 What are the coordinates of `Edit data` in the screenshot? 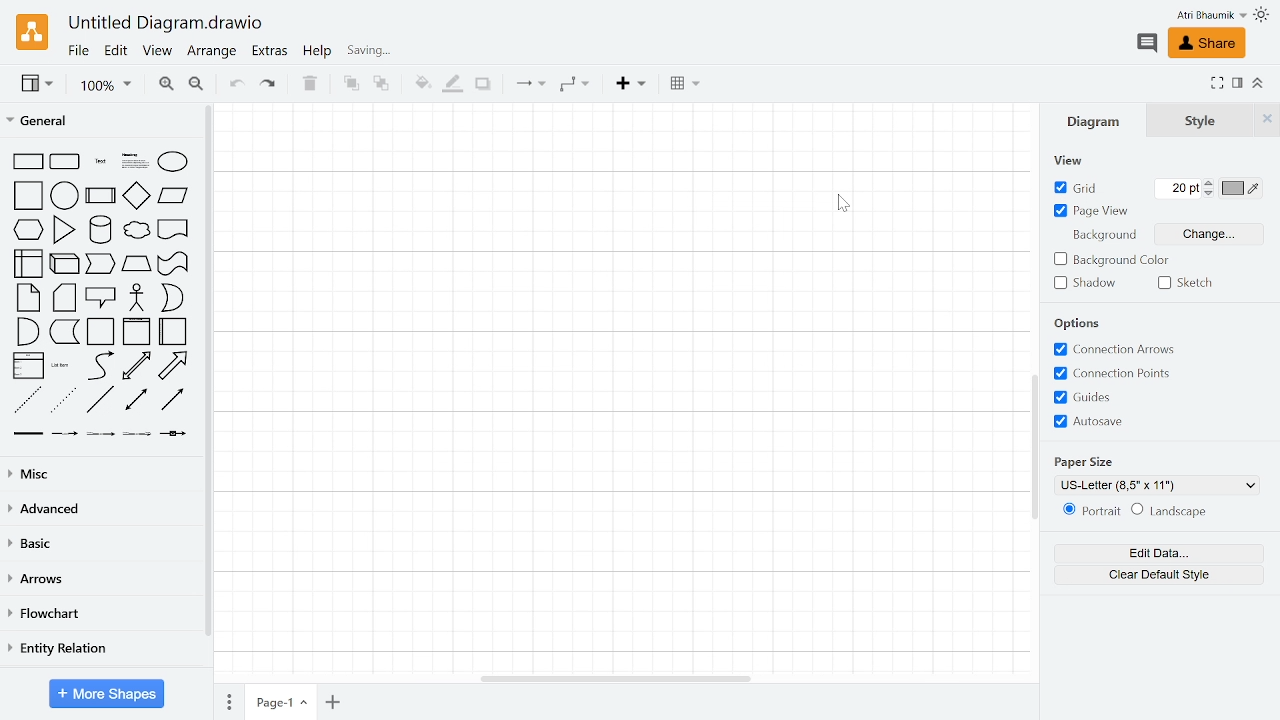 It's located at (1156, 554).